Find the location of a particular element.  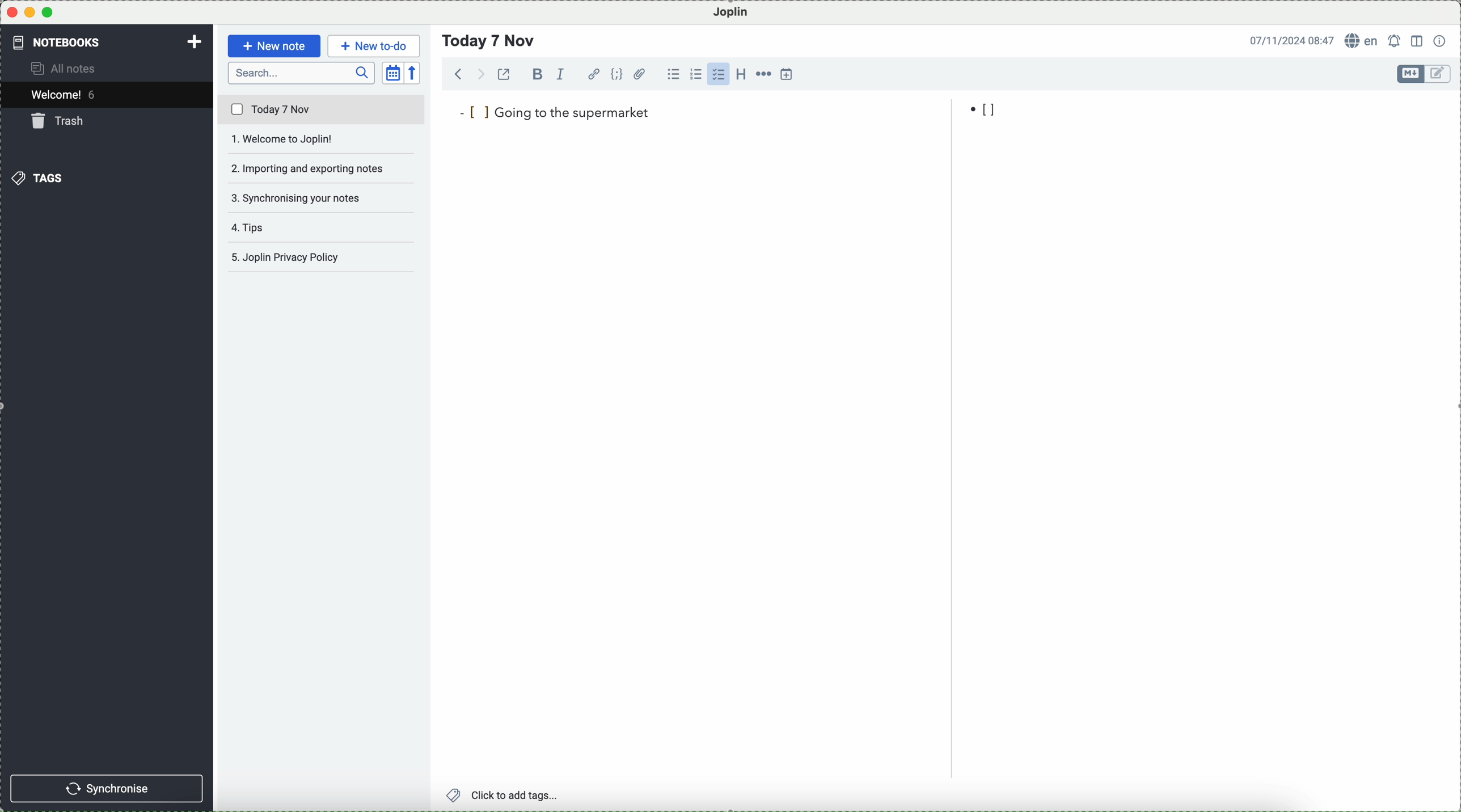

all notes is located at coordinates (65, 67).